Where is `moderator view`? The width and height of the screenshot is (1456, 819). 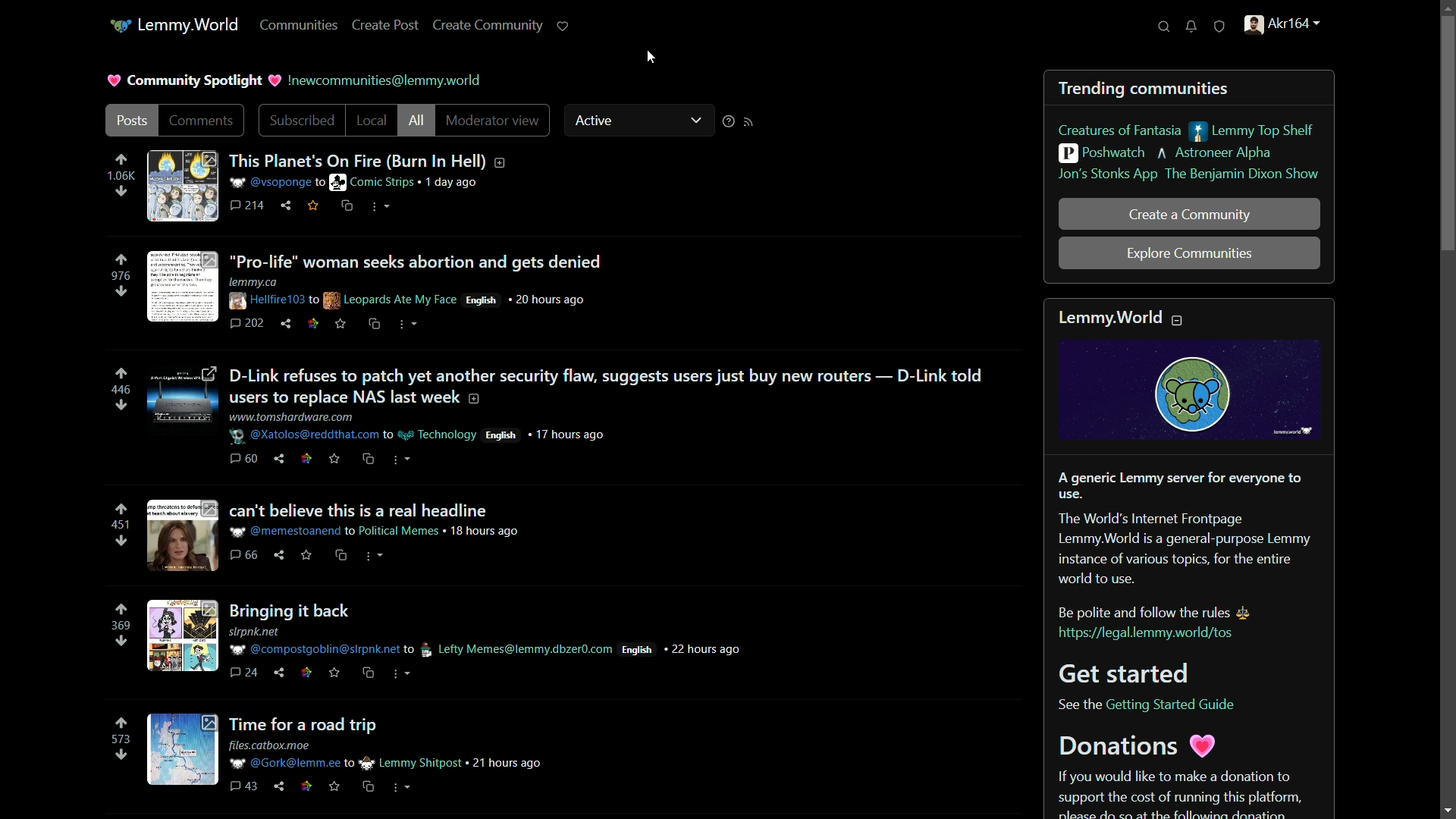 moderator view is located at coordinates (494, 120).